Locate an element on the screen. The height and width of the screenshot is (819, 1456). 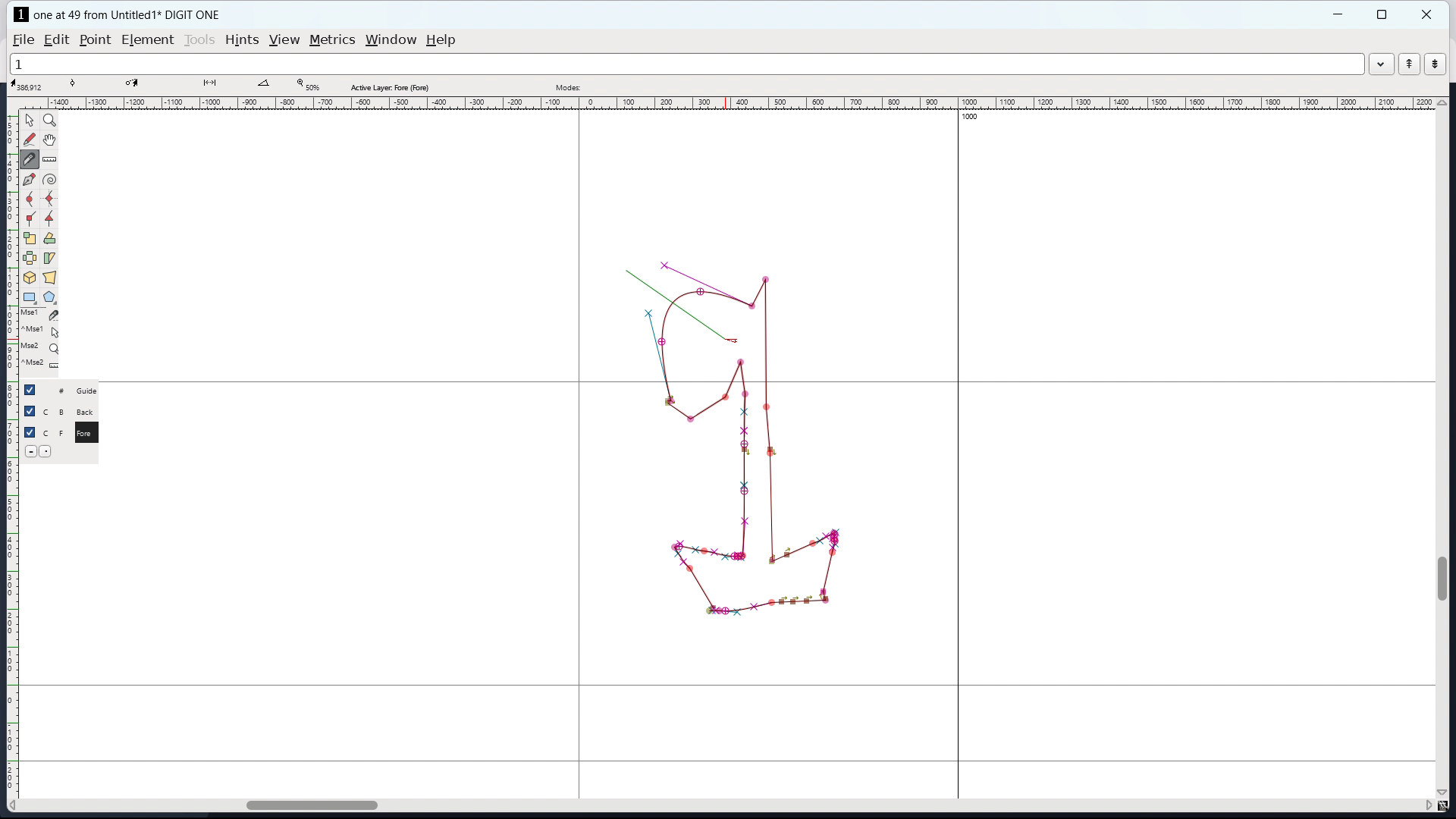
expand is located at coordinates (1380, 66).